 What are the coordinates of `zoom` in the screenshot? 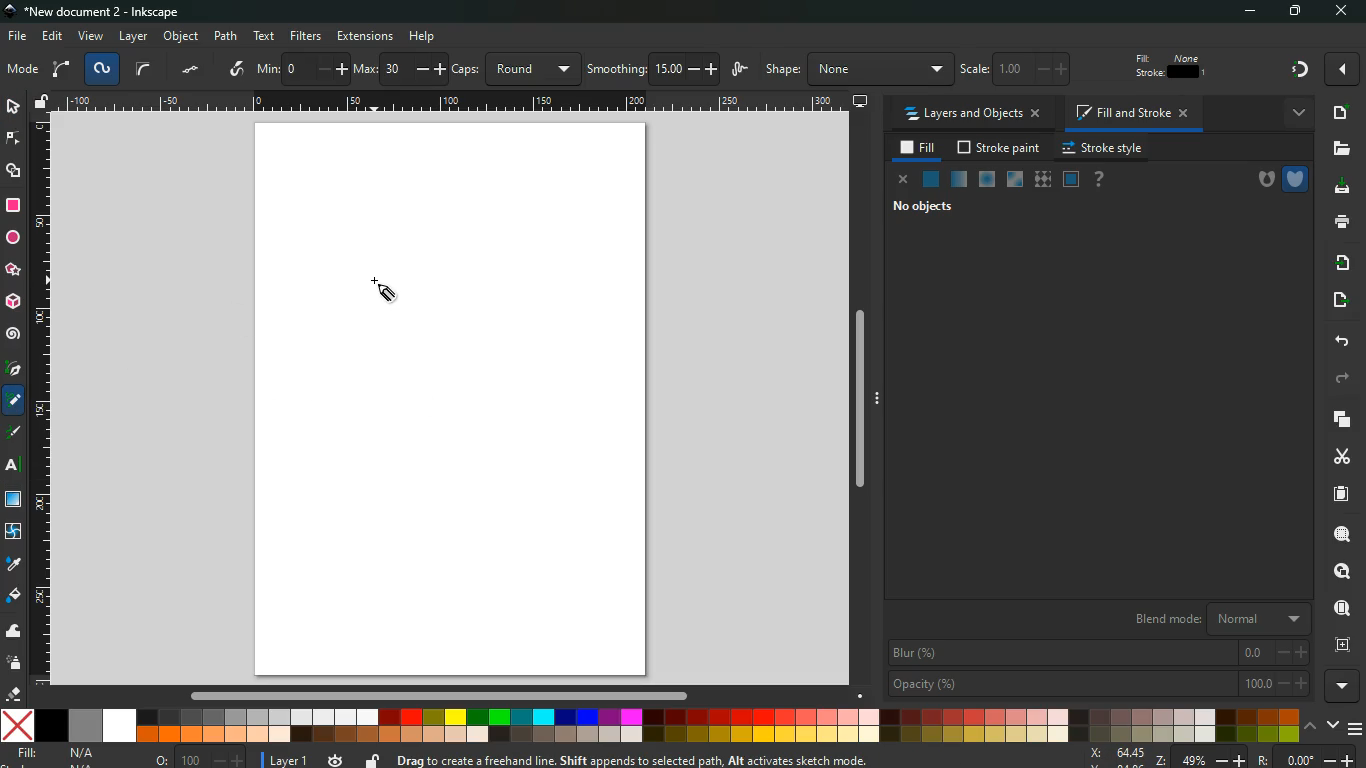 It's located at (1222, 758).